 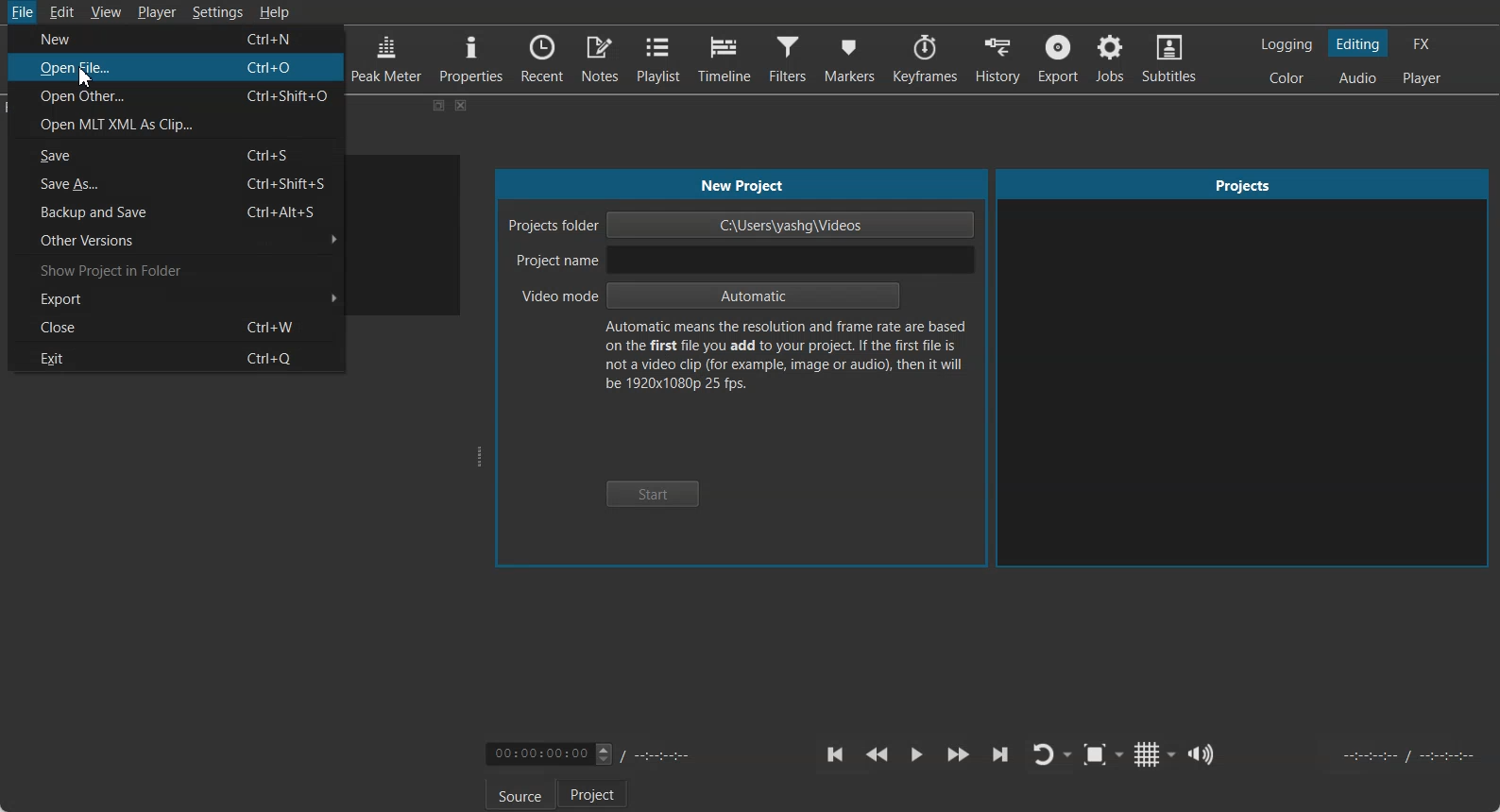 I want to click on Toggle Zoom, so click(x=1097, y=755).